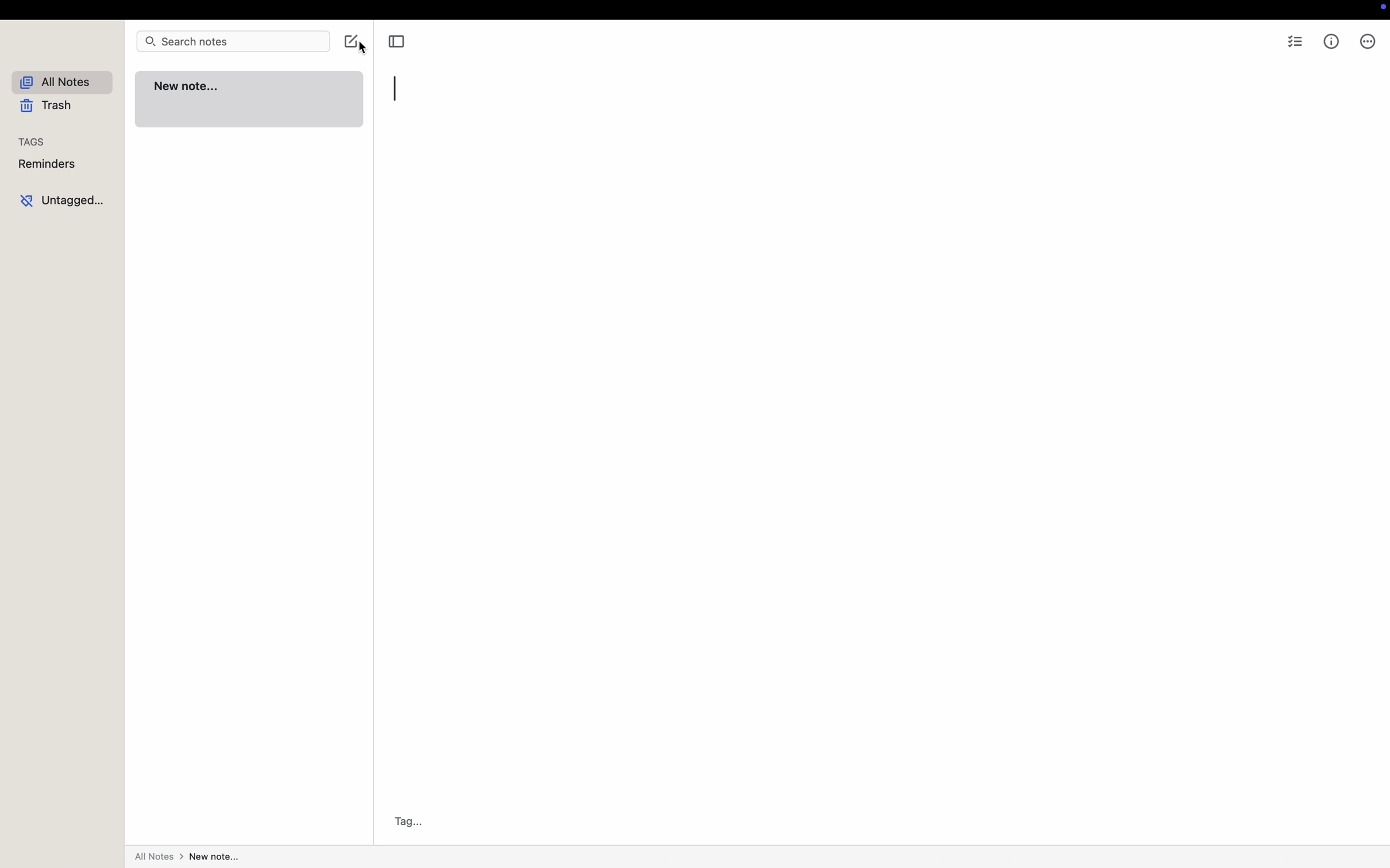 The width and height of the screenshot is (1390, 868). Describe the element at coordinates (61, 199) in the screenshot. I see `untagged` at that location.